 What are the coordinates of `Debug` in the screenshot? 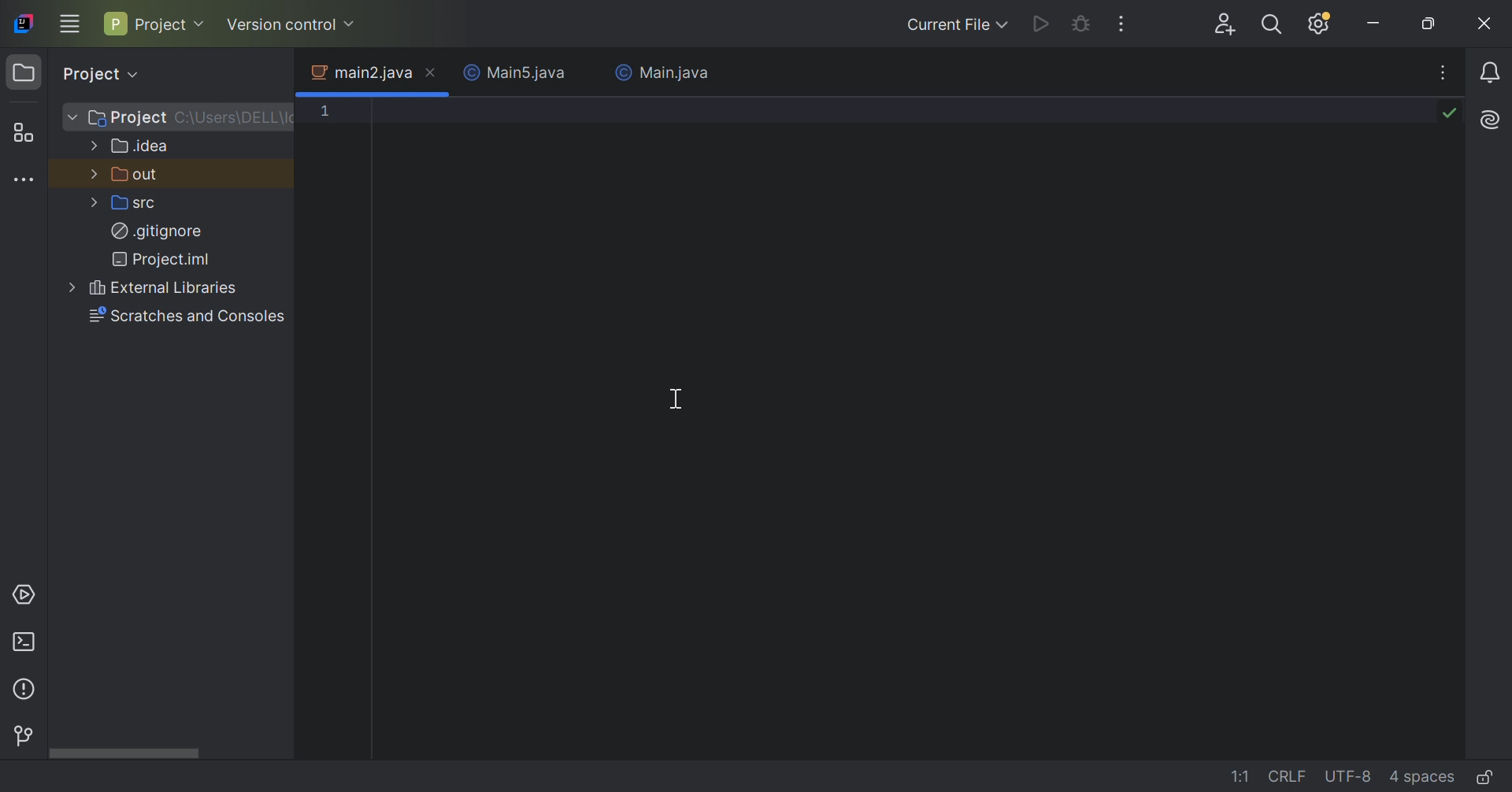 It's located at (1080, 24).